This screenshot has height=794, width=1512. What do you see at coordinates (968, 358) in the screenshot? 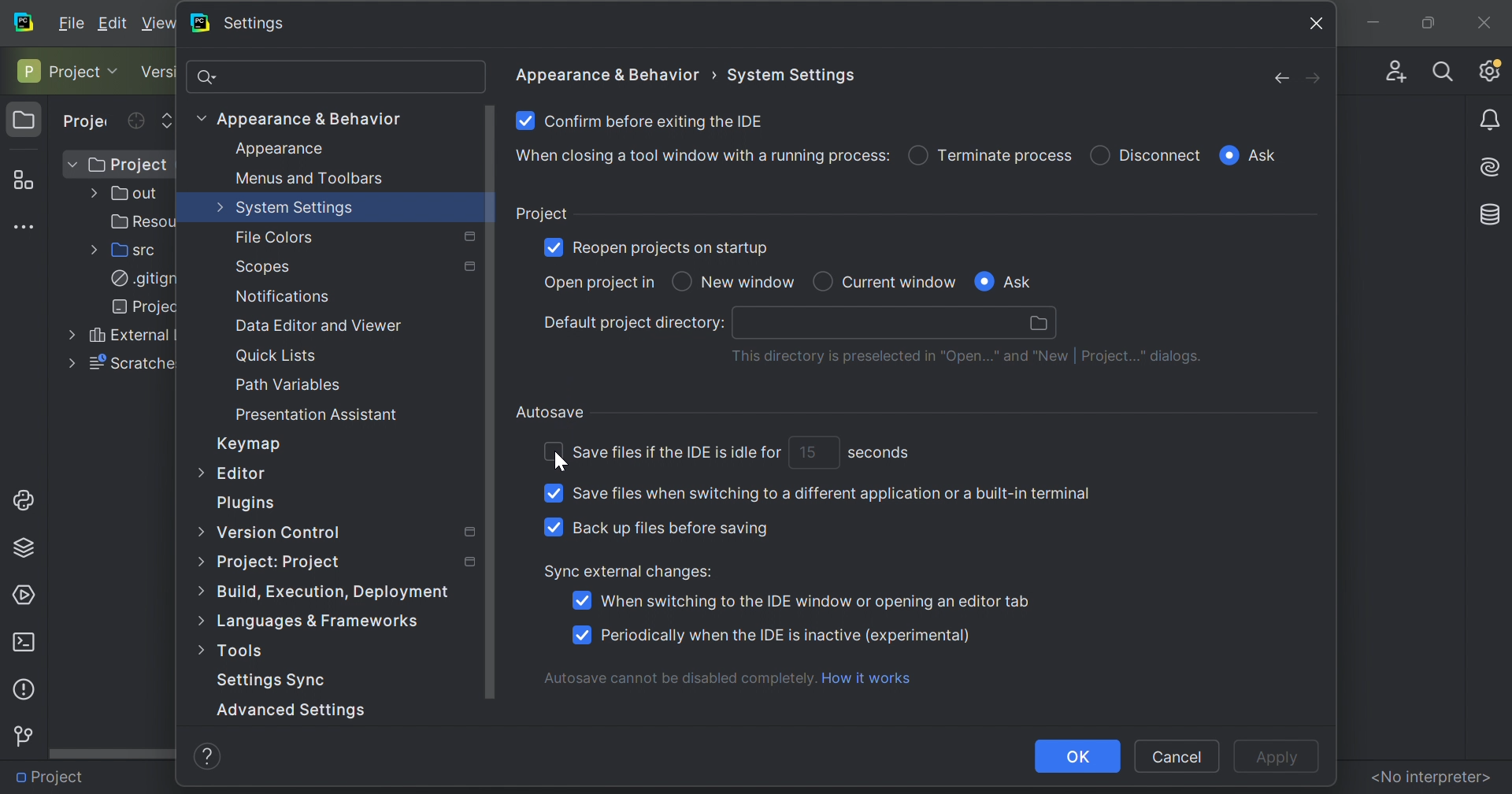
I see `This directory is preselected in "Open" and "New | project..." dialogs.` at bounding box center [968, 358].